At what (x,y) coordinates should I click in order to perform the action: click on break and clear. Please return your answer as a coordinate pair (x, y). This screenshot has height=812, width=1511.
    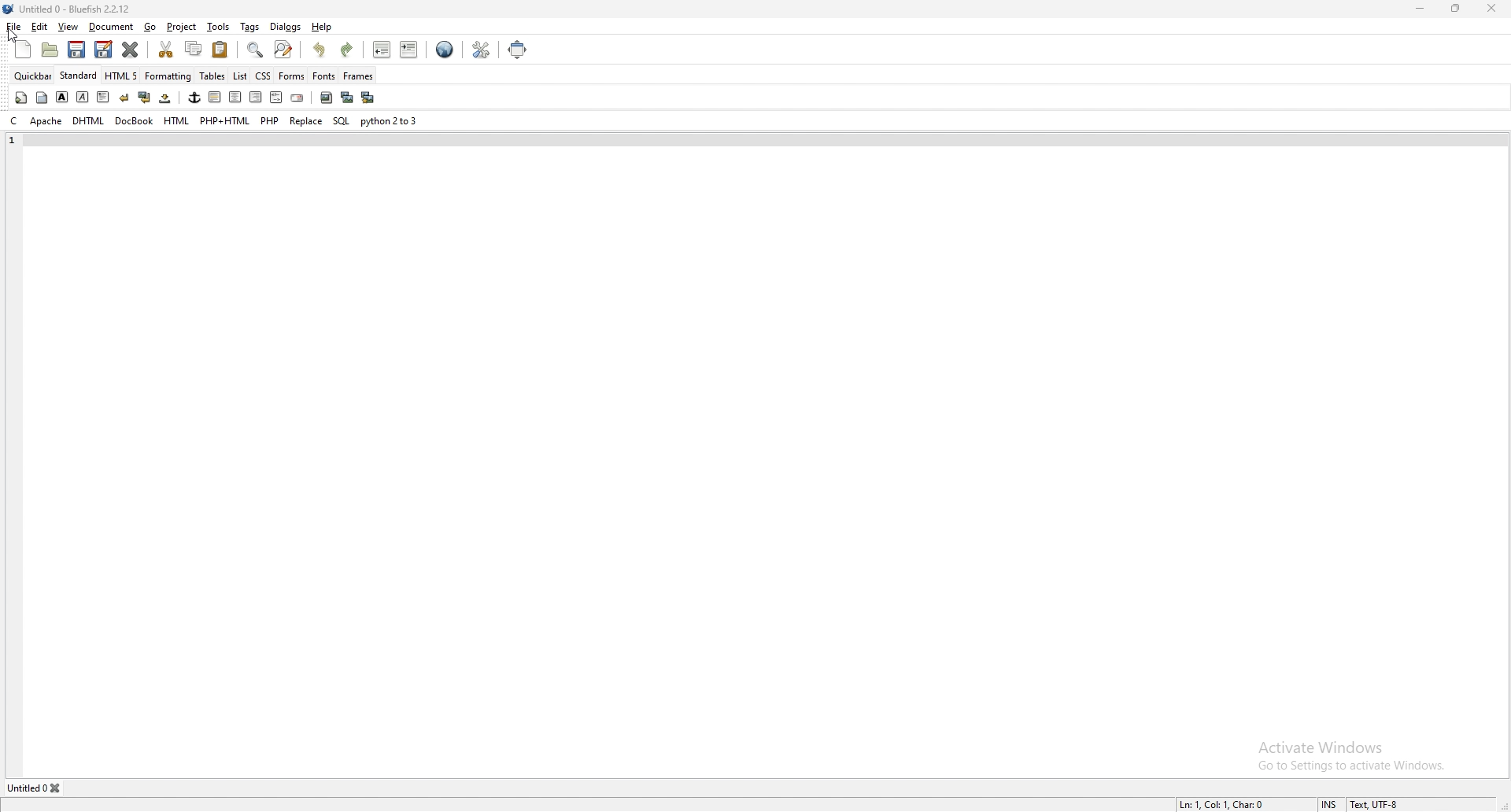
    Looking at the image, I should click on (146, 97).